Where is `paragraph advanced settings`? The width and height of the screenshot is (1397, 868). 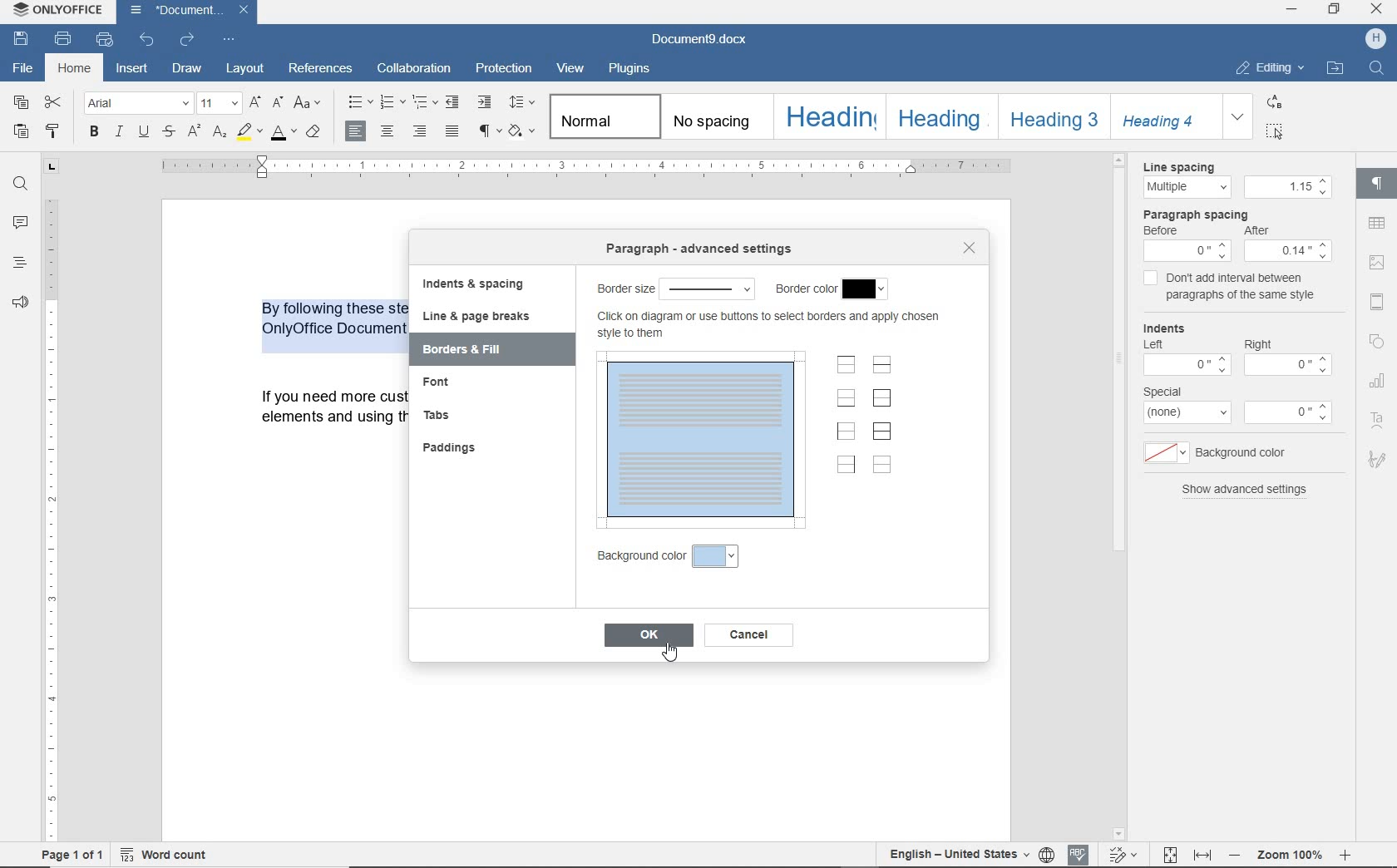 paragraph advanced settings is located at coordinates (700, 249).